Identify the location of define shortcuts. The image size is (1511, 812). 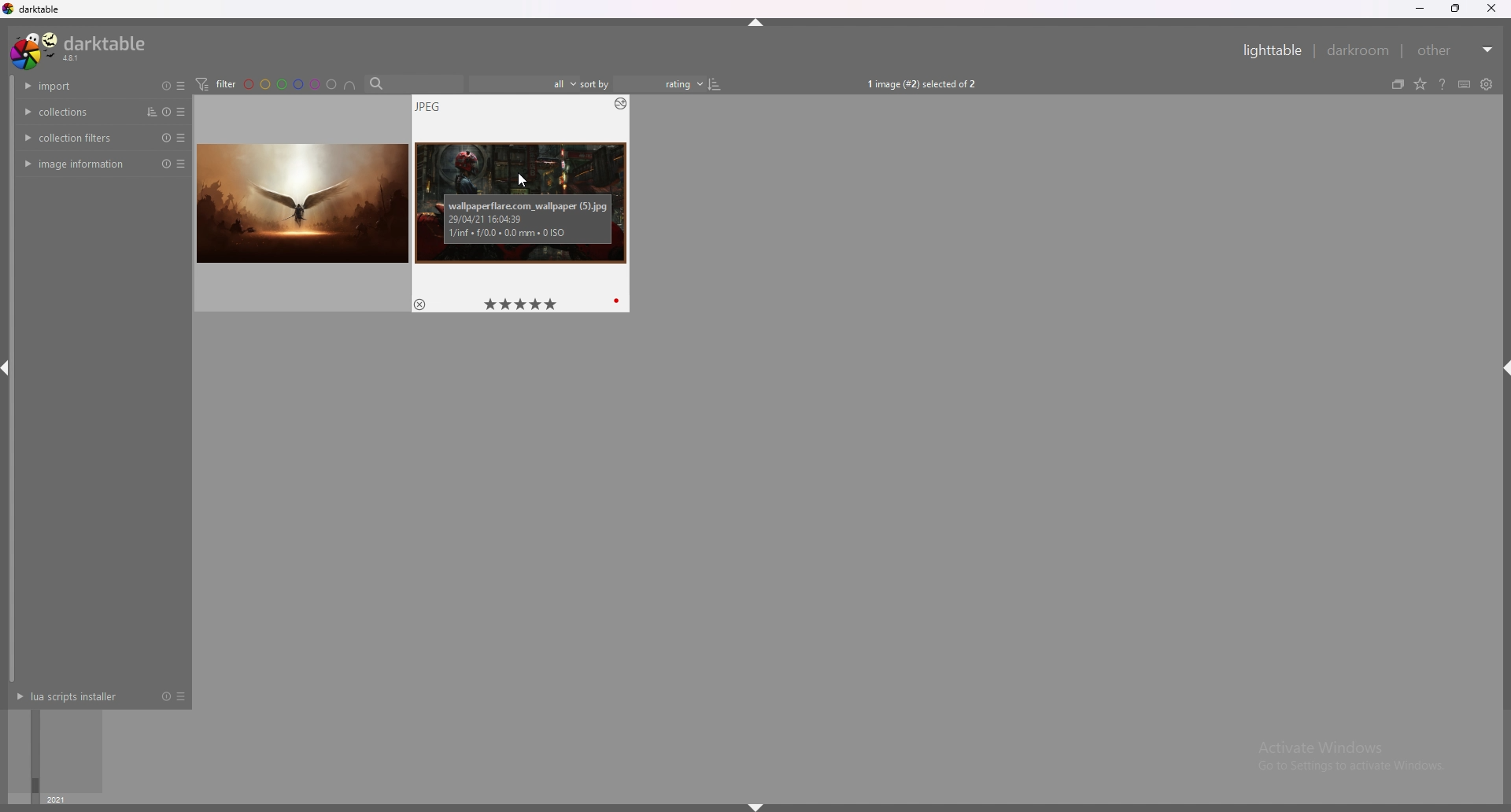
(1465, 84).